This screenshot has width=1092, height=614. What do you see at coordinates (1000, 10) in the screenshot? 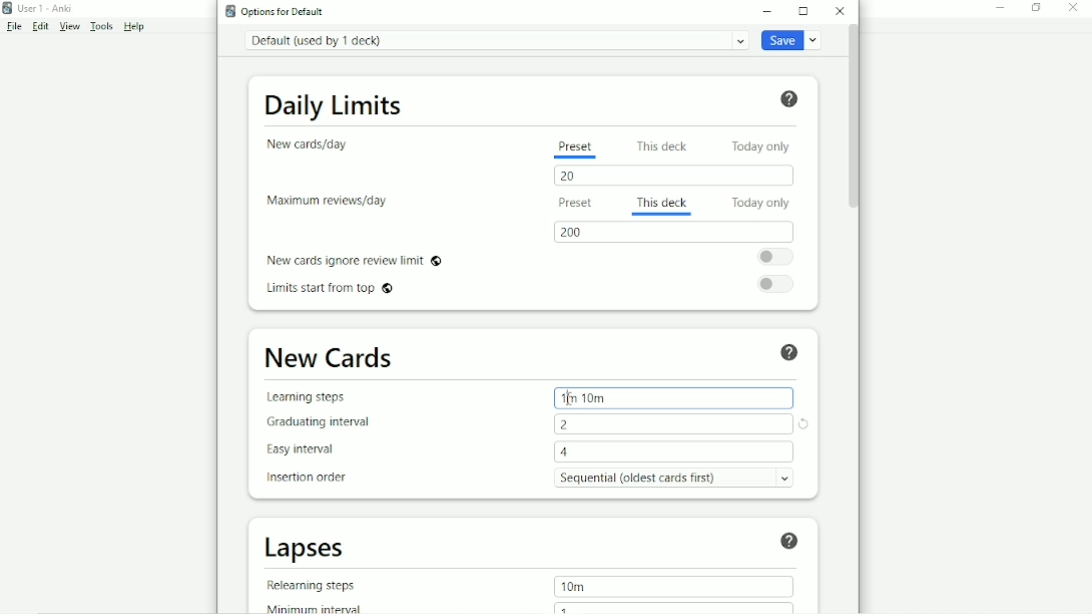
I see `Minimize` at bounding box center [1000, 10].